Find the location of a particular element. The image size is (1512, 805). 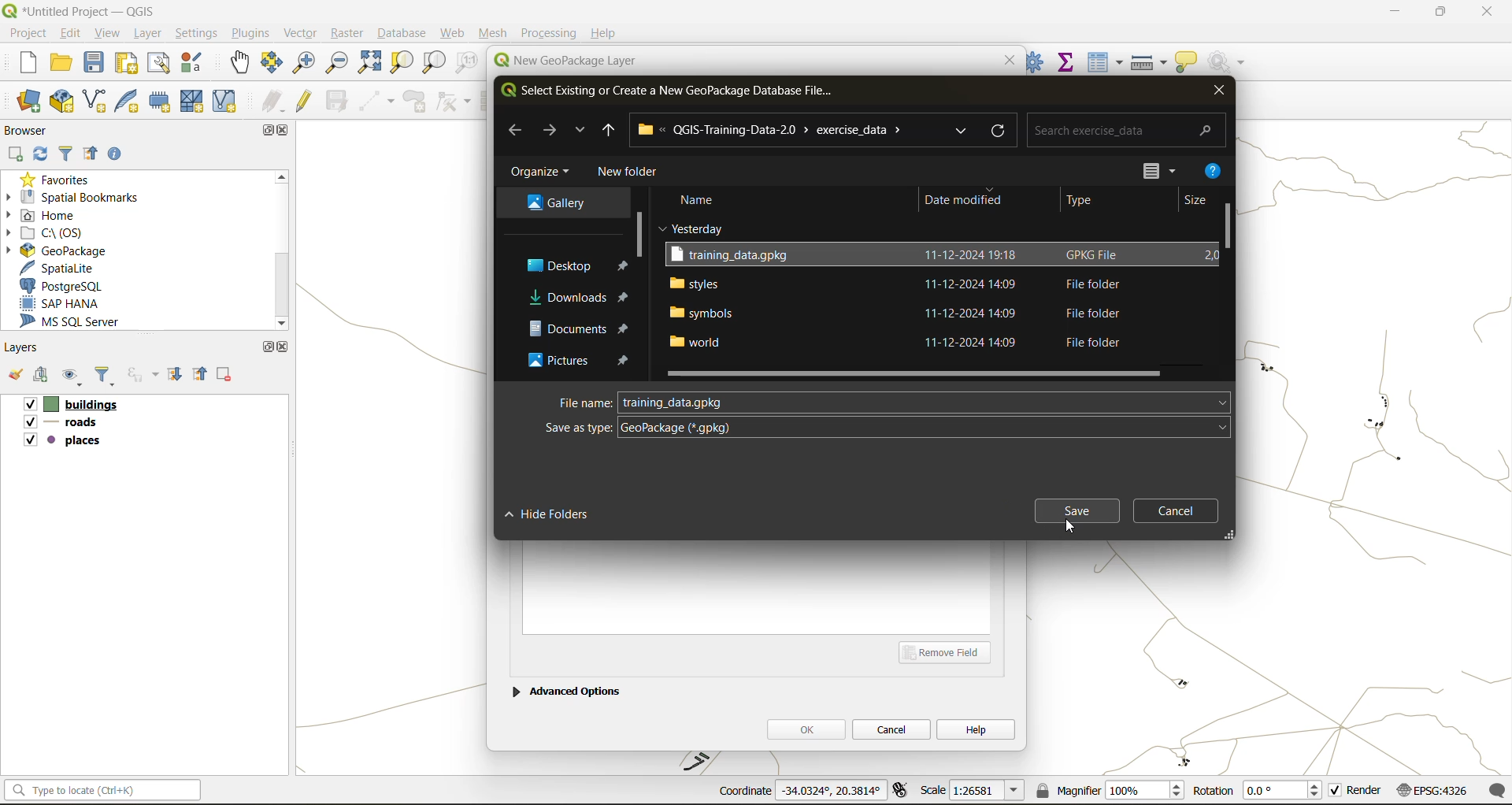

hide folders is located at coordinates (553, 514).